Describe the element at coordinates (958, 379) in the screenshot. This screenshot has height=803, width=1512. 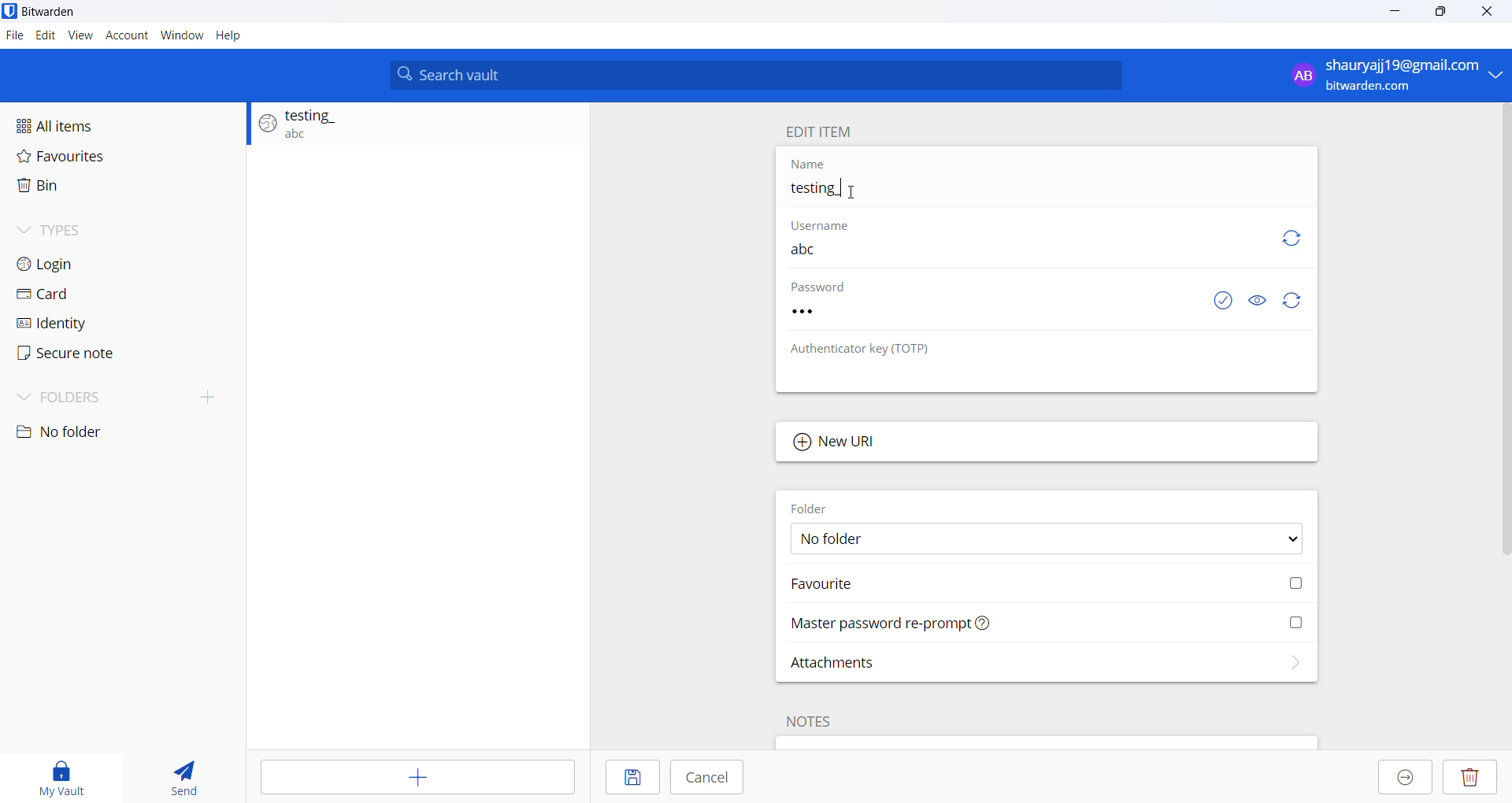
I see `No authenticator key` at that location.